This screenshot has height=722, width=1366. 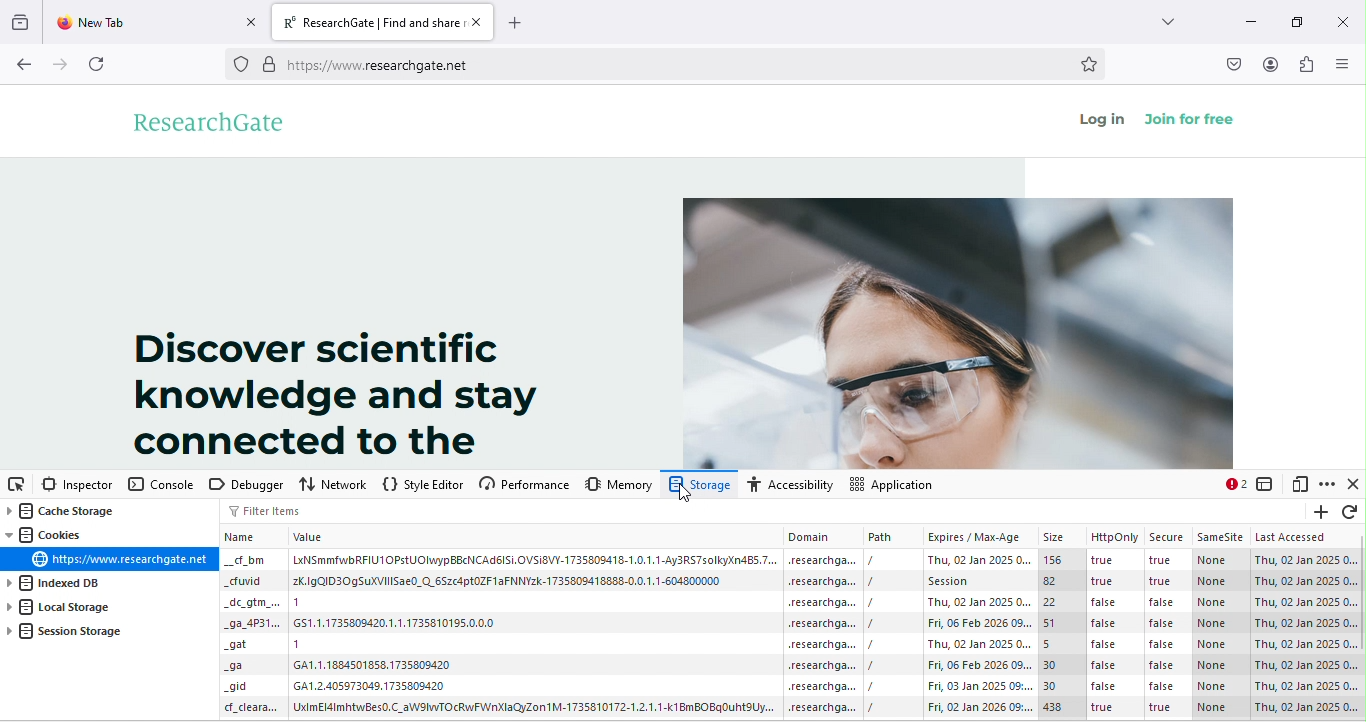 What do you see at coordinates (822, 709) in the screenshot?
I see `domain` at bounding box center [822, 709].